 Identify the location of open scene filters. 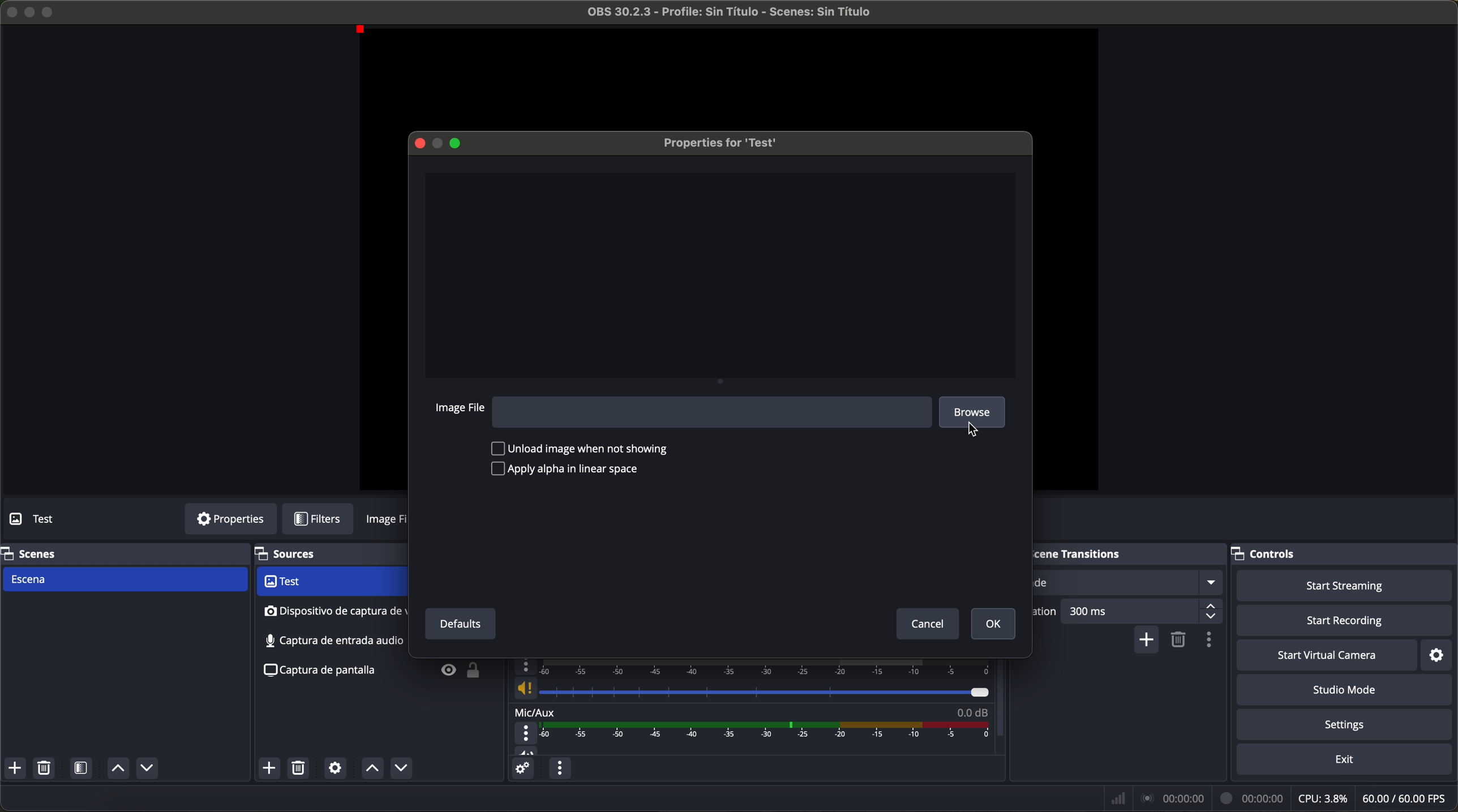
(83, 769).